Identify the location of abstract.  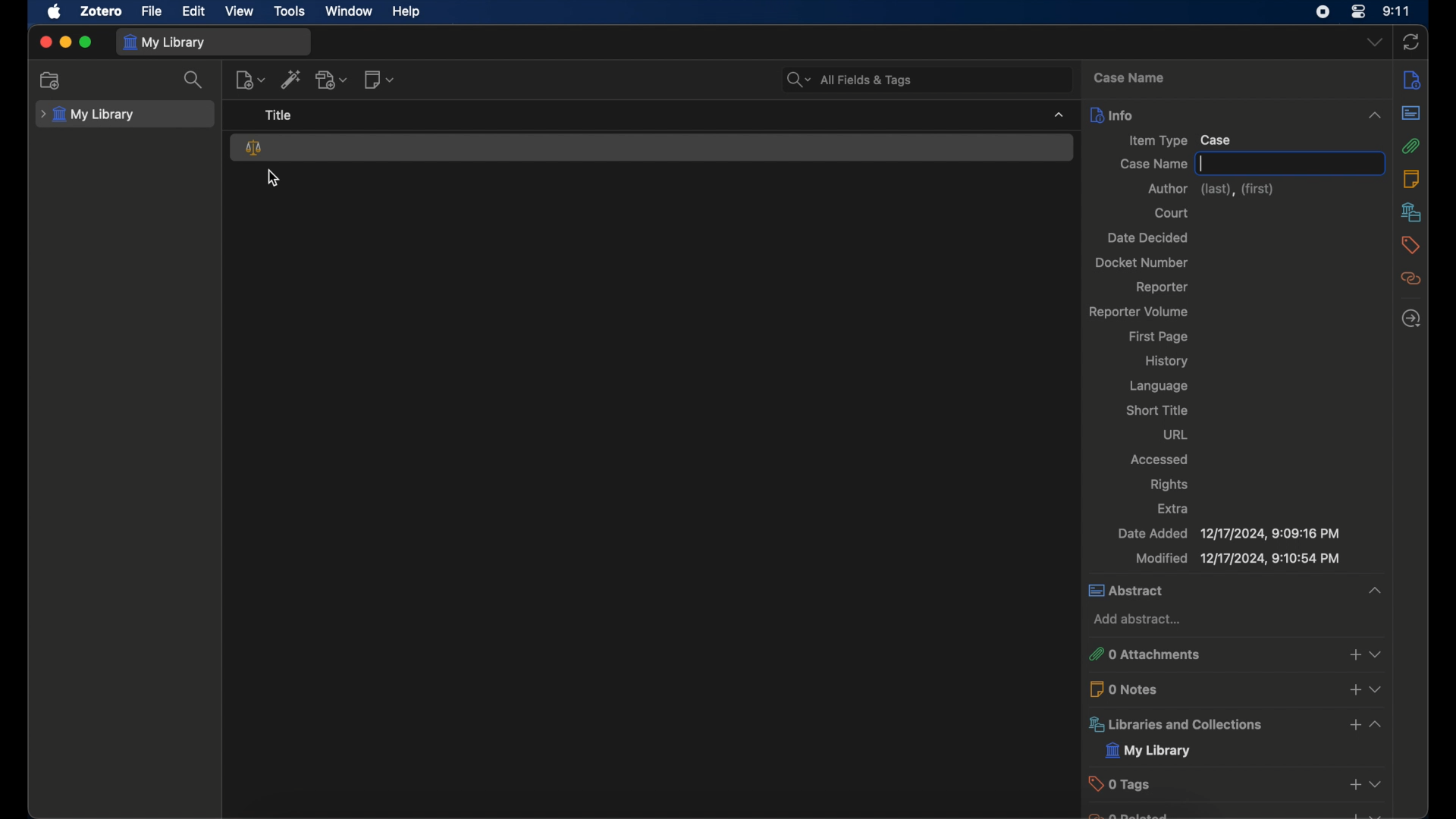
(1411, 113).